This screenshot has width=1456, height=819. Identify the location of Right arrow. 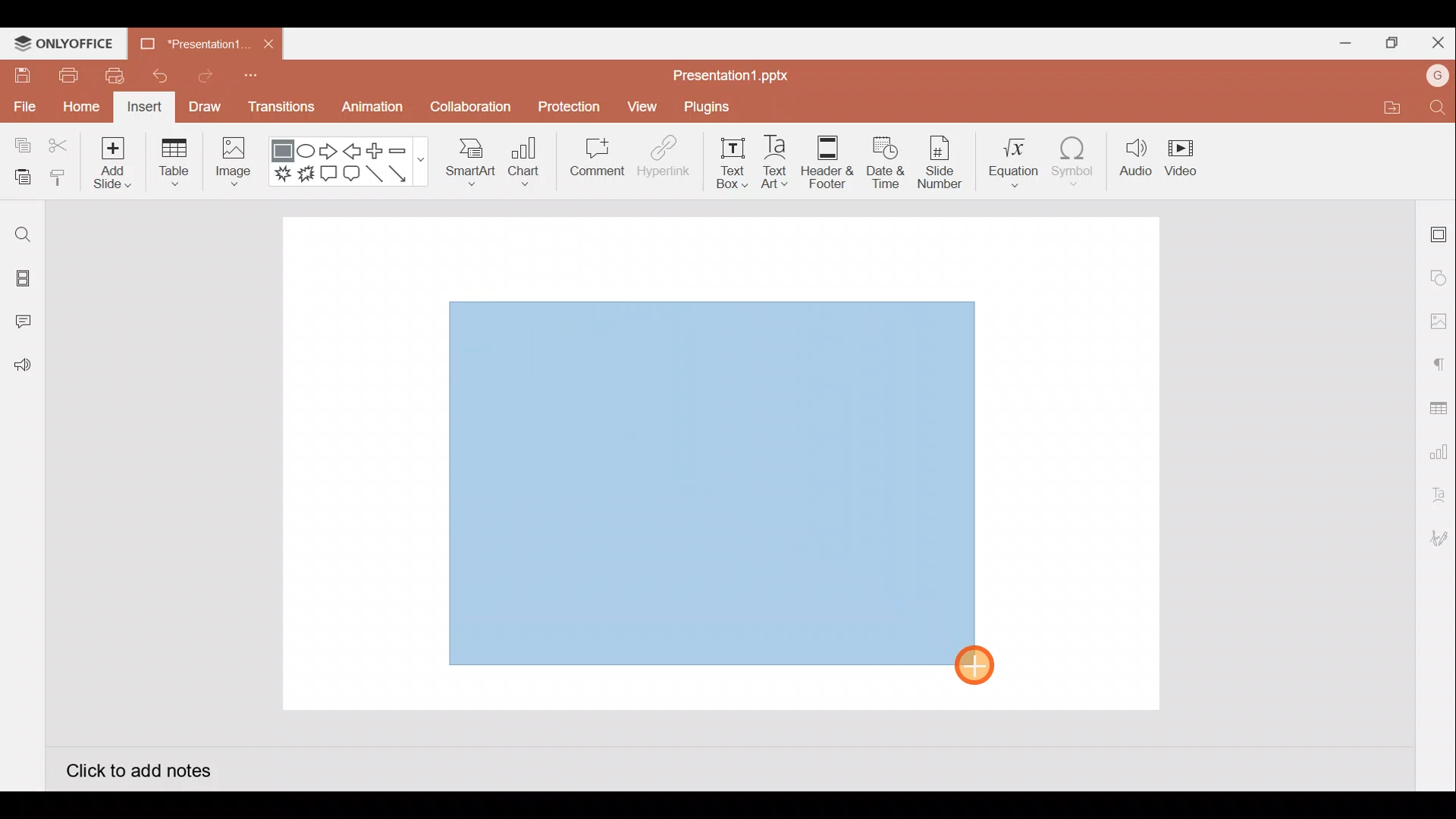
(328, 152).